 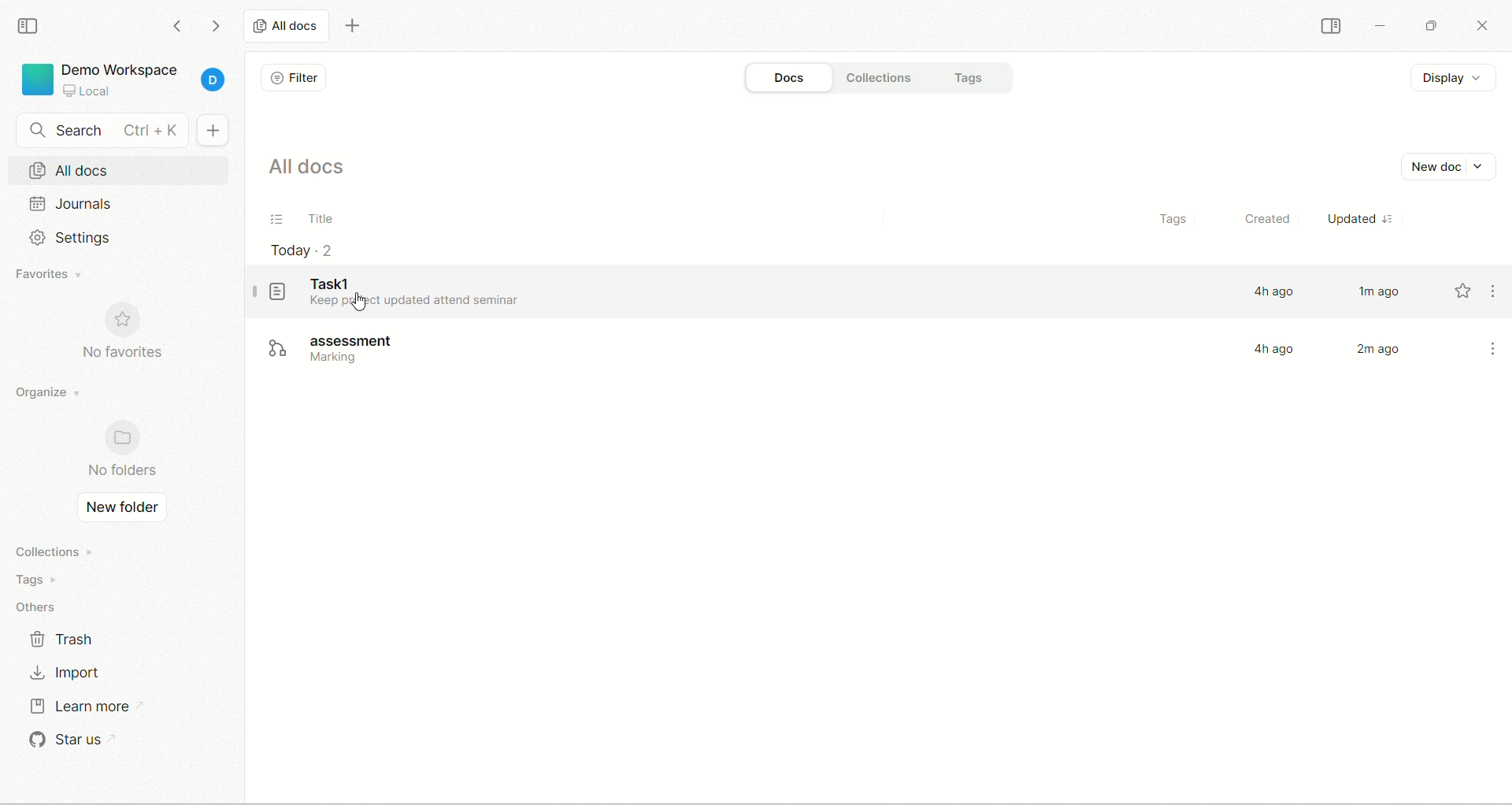 What do you see at coordinates (881, 76) in the screenshot?
I see `collections` at bounding box center [881, 76].